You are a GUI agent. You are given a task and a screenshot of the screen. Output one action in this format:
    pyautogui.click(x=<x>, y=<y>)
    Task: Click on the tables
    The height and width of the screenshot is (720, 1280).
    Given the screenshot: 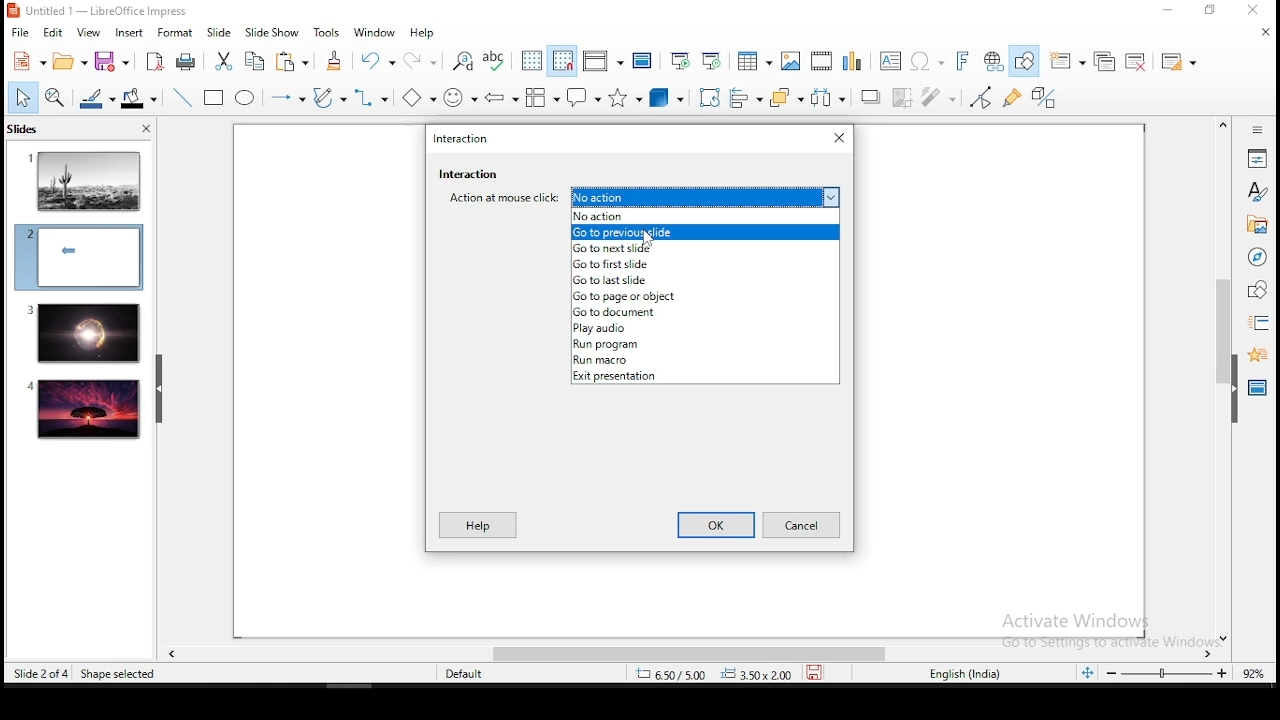 What is the action you would take?
    pyautogui.click(x=751, y=60)
    